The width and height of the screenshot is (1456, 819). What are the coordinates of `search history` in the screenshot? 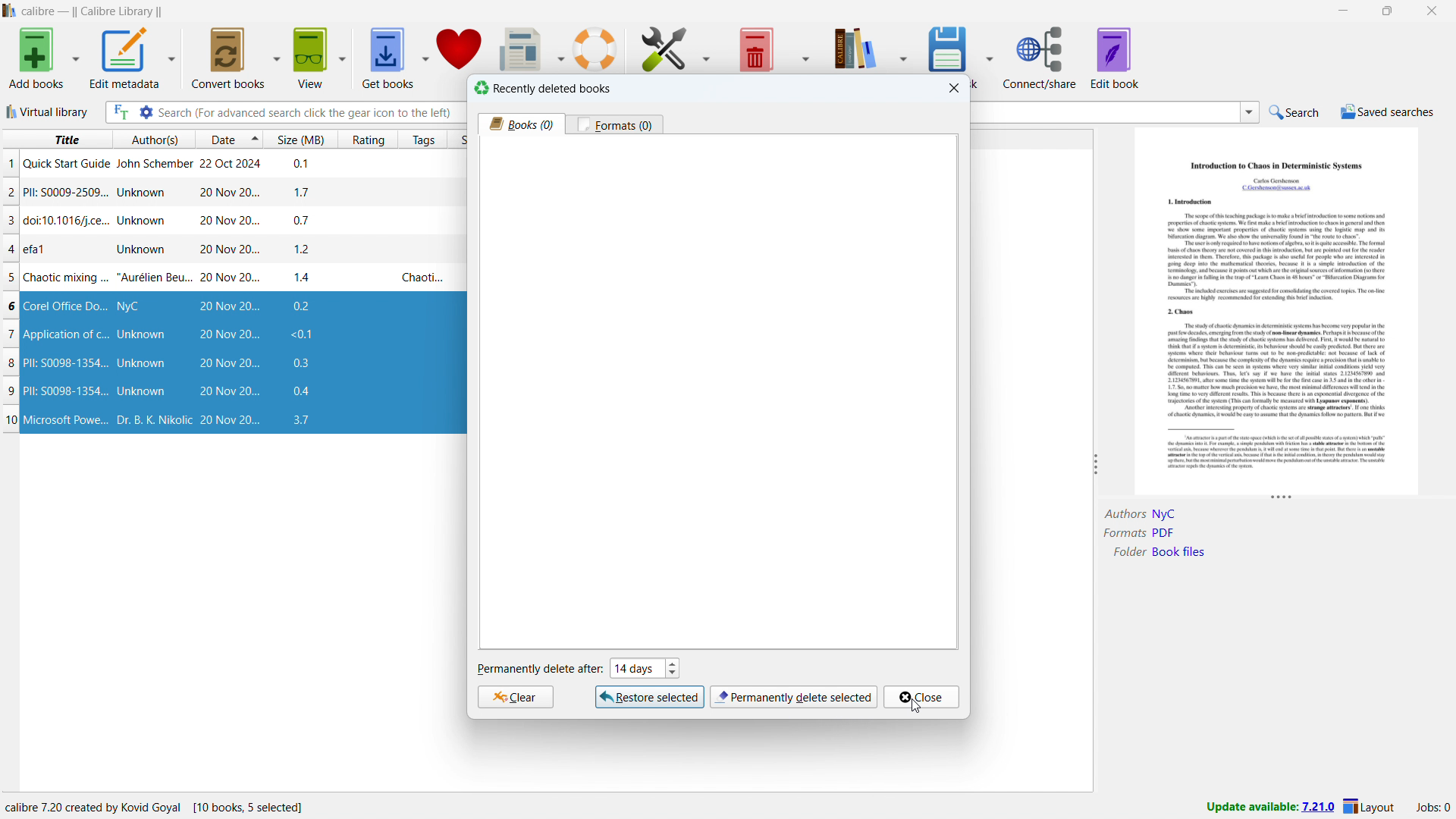 It's located at (1250, 113).